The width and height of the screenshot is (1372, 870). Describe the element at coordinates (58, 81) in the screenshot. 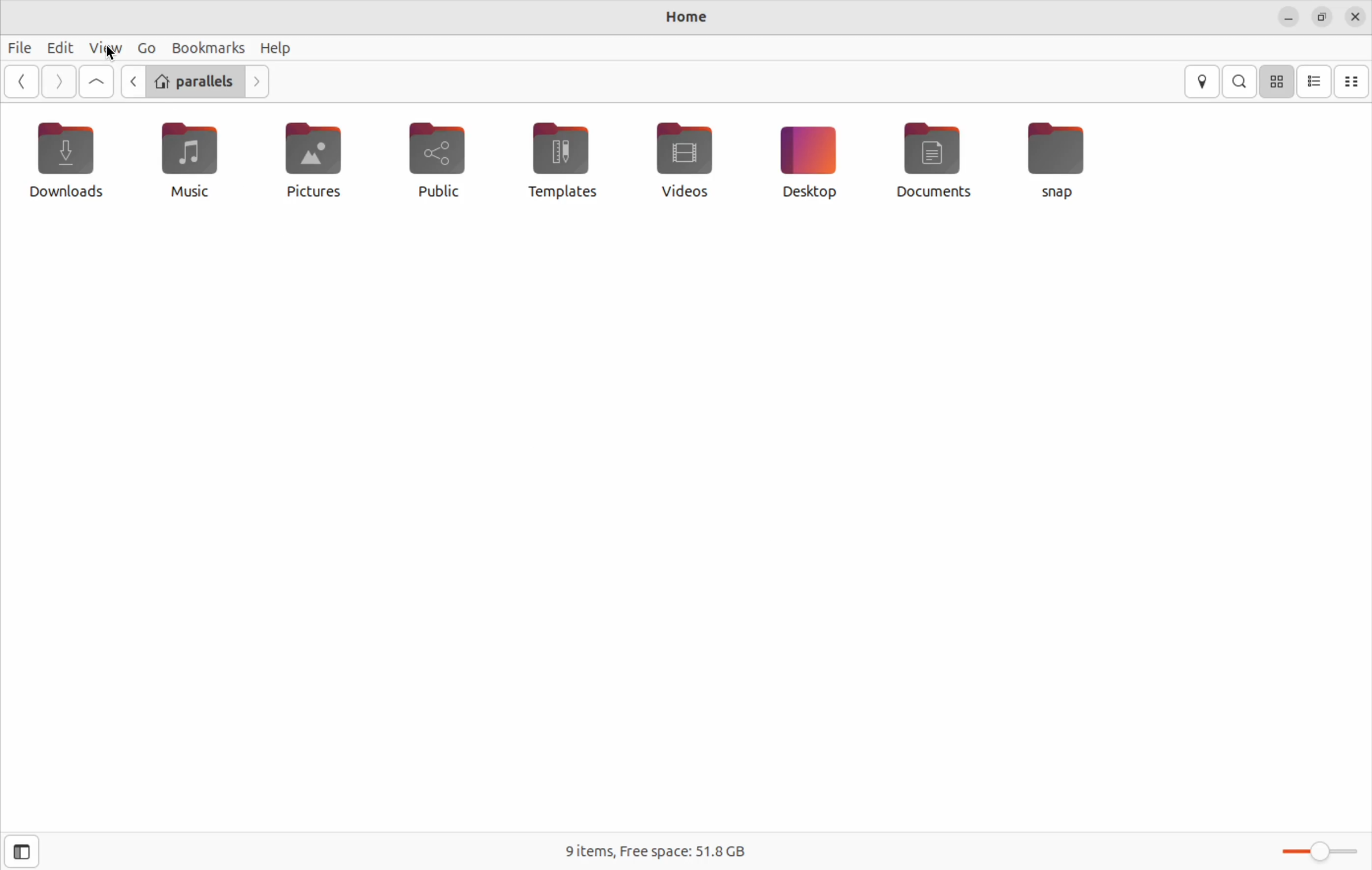

I see `Go next` at that location.